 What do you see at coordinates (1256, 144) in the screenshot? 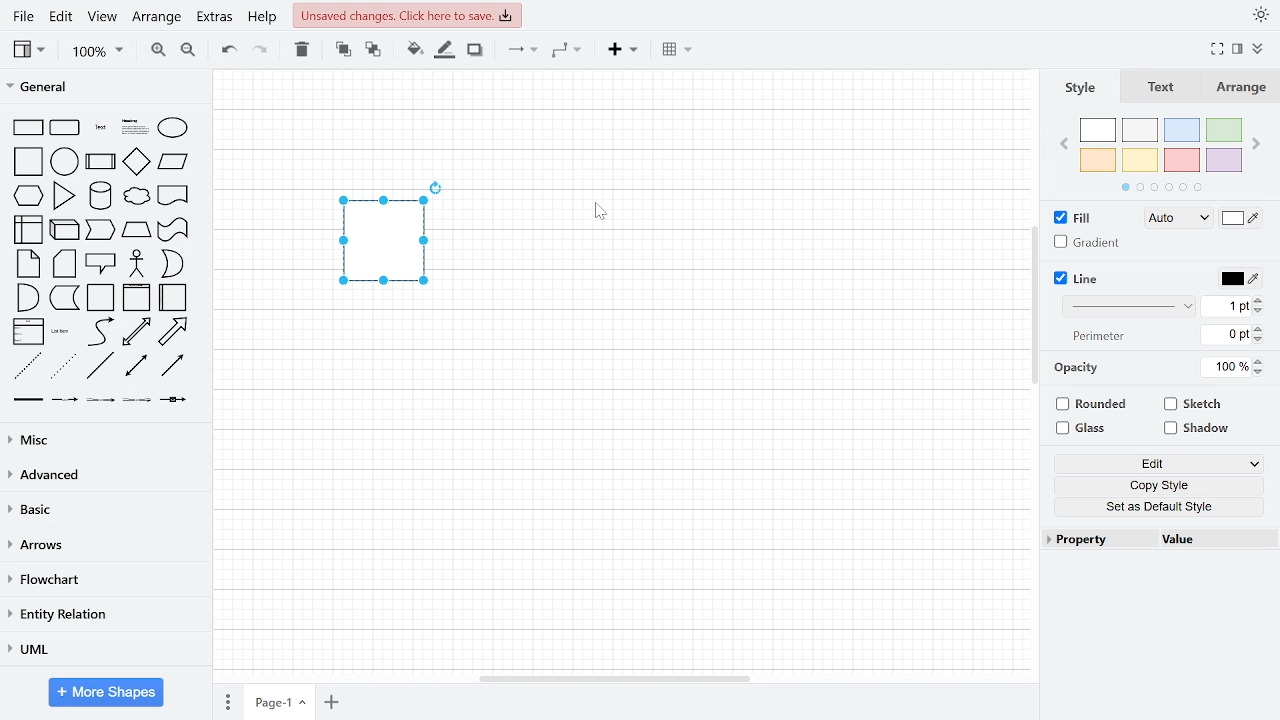
I see `next` at bounding box center [1256, 144].